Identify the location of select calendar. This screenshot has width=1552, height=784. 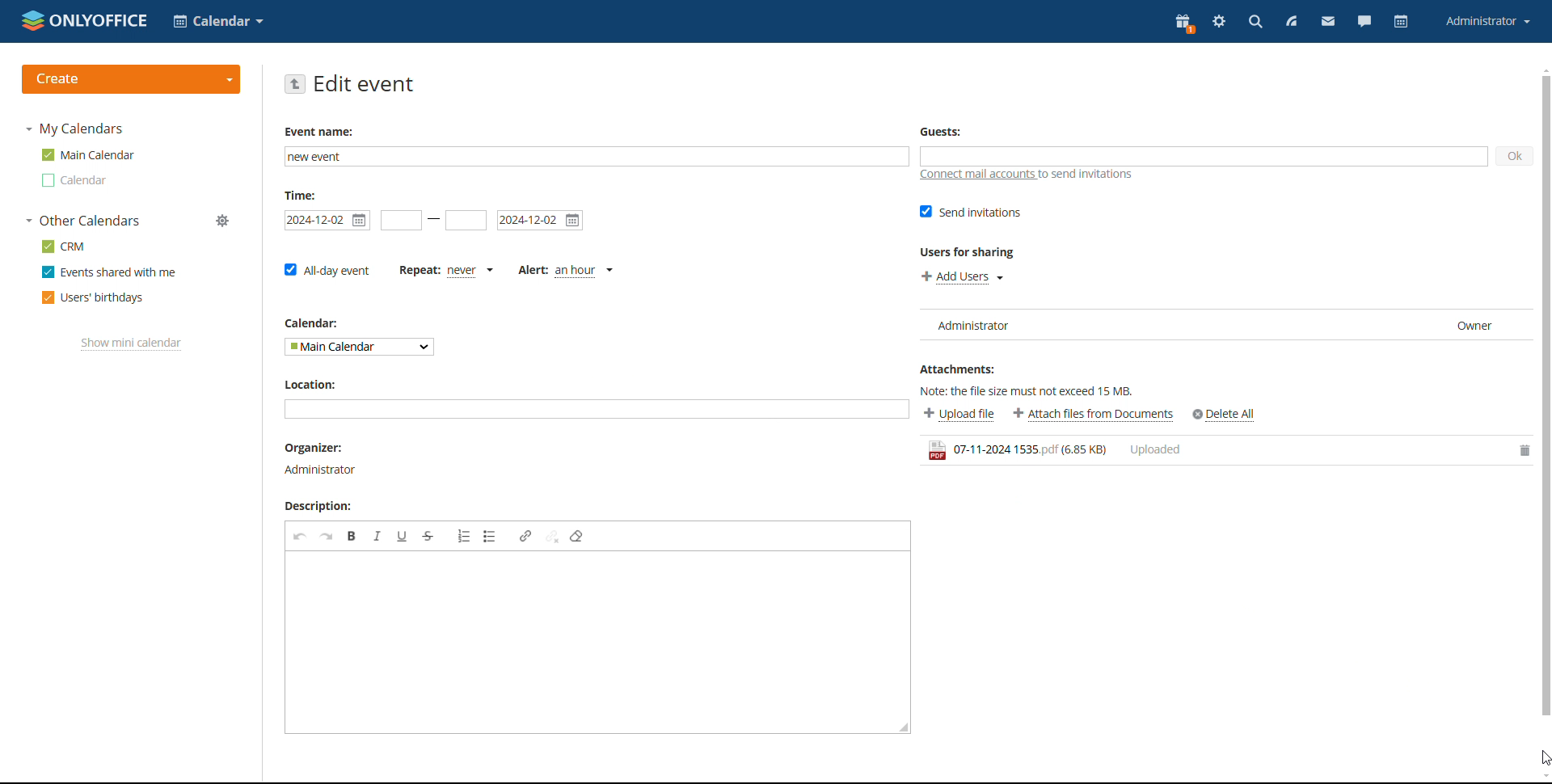
(360, 347).